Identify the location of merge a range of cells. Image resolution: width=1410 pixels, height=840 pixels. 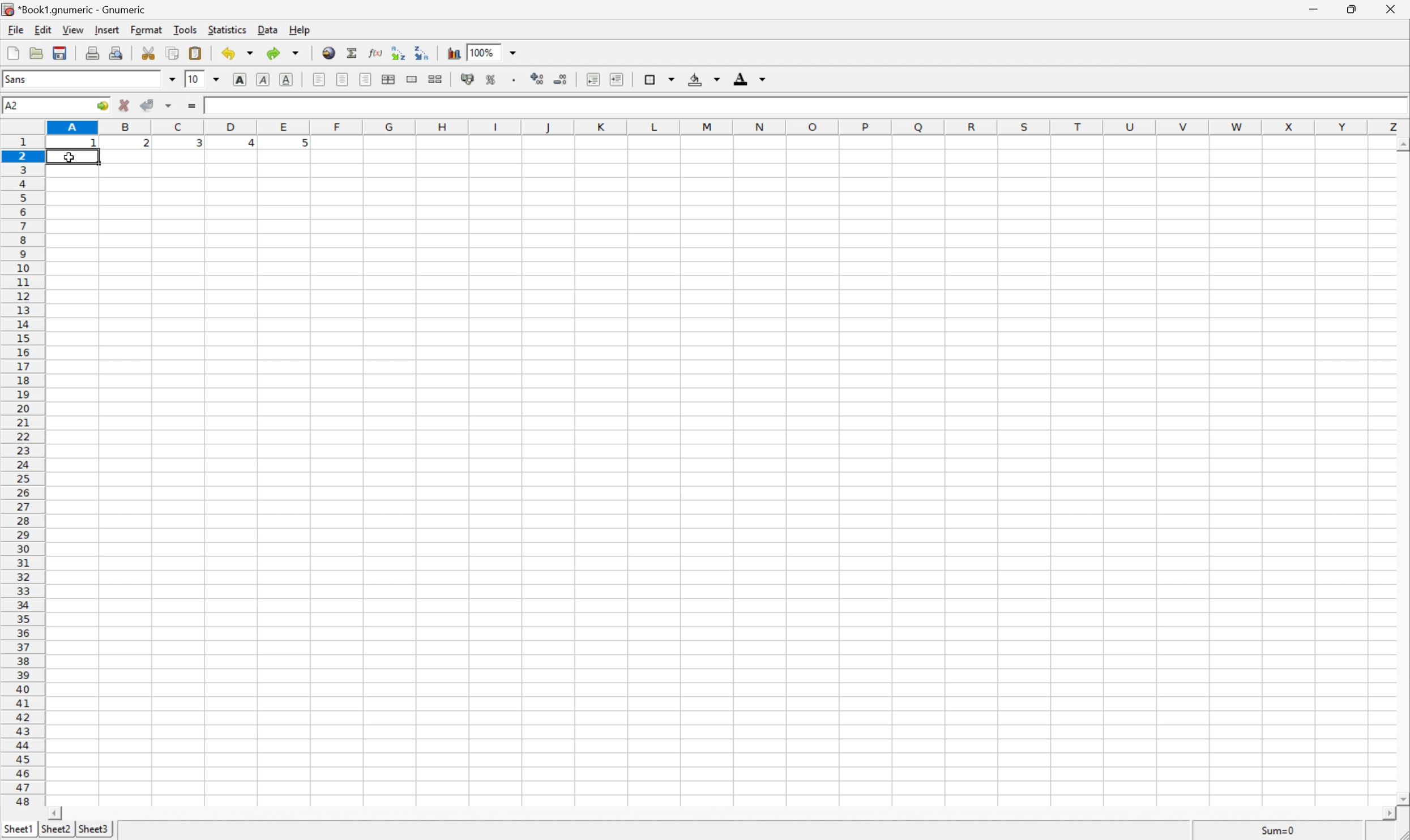
(413, 80).